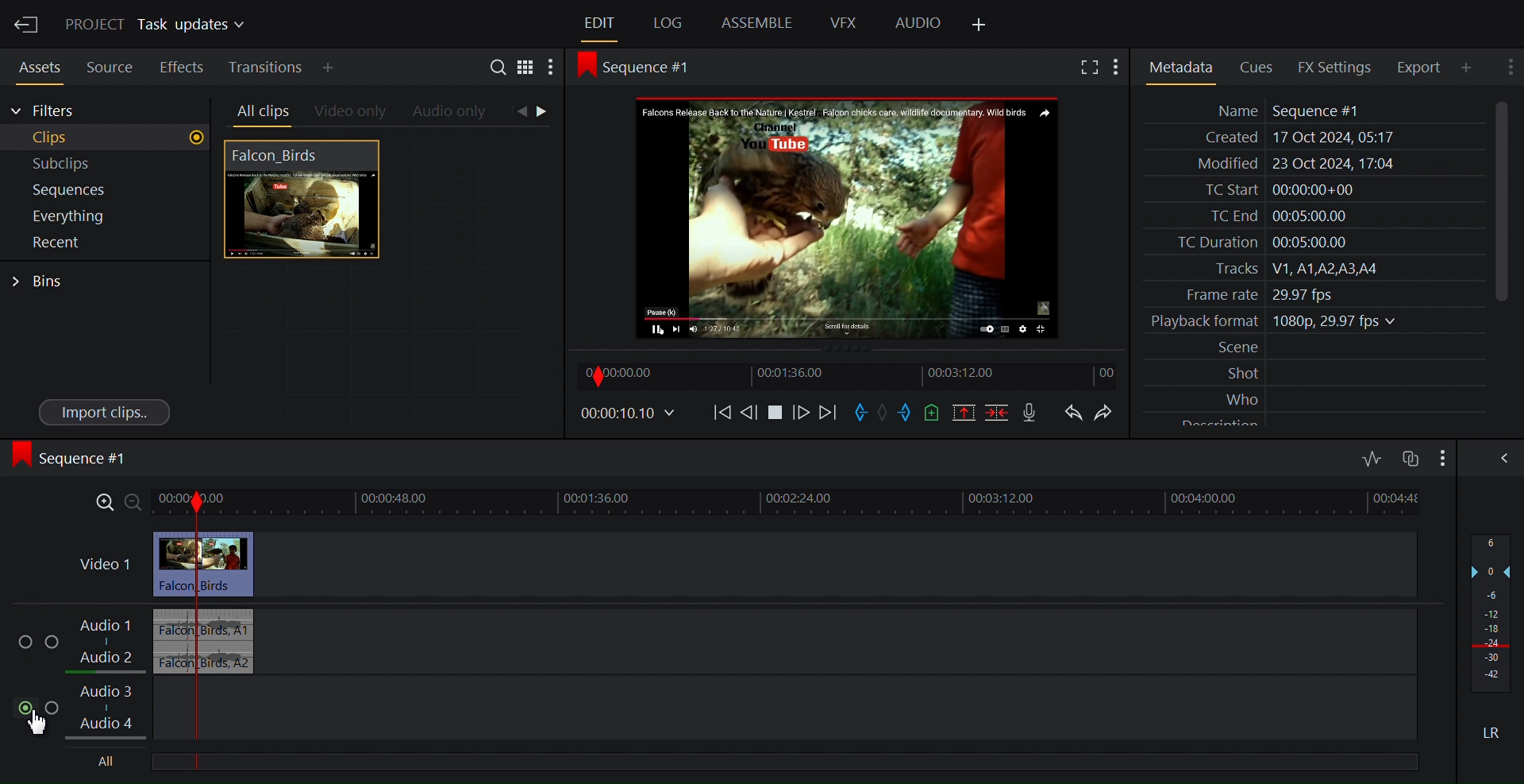  Describe the element at coordinates (1261, 66) in the screenshot. I see `Cues` at that location.